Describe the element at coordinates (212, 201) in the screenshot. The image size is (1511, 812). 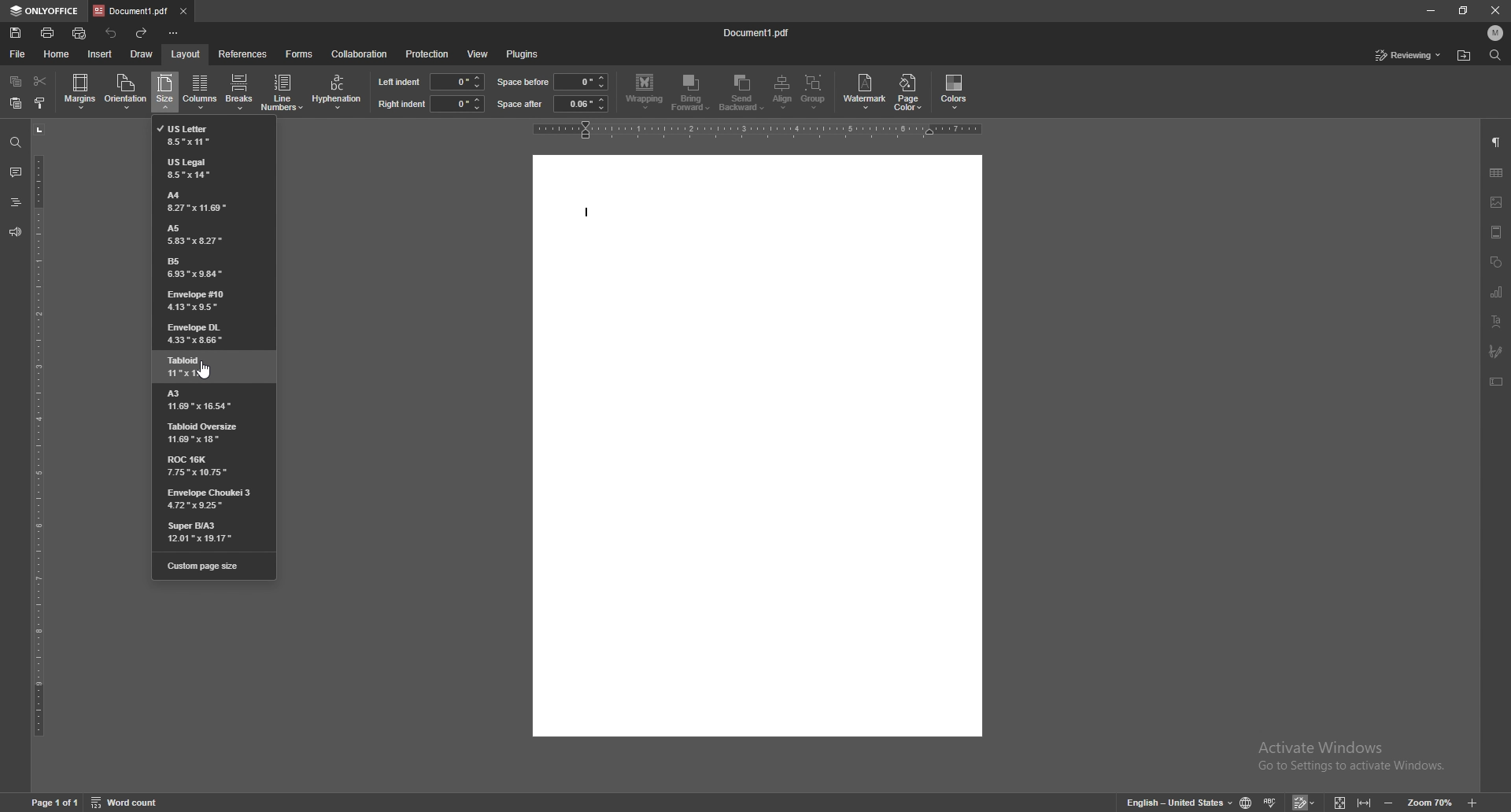
I see `a4` at that location.